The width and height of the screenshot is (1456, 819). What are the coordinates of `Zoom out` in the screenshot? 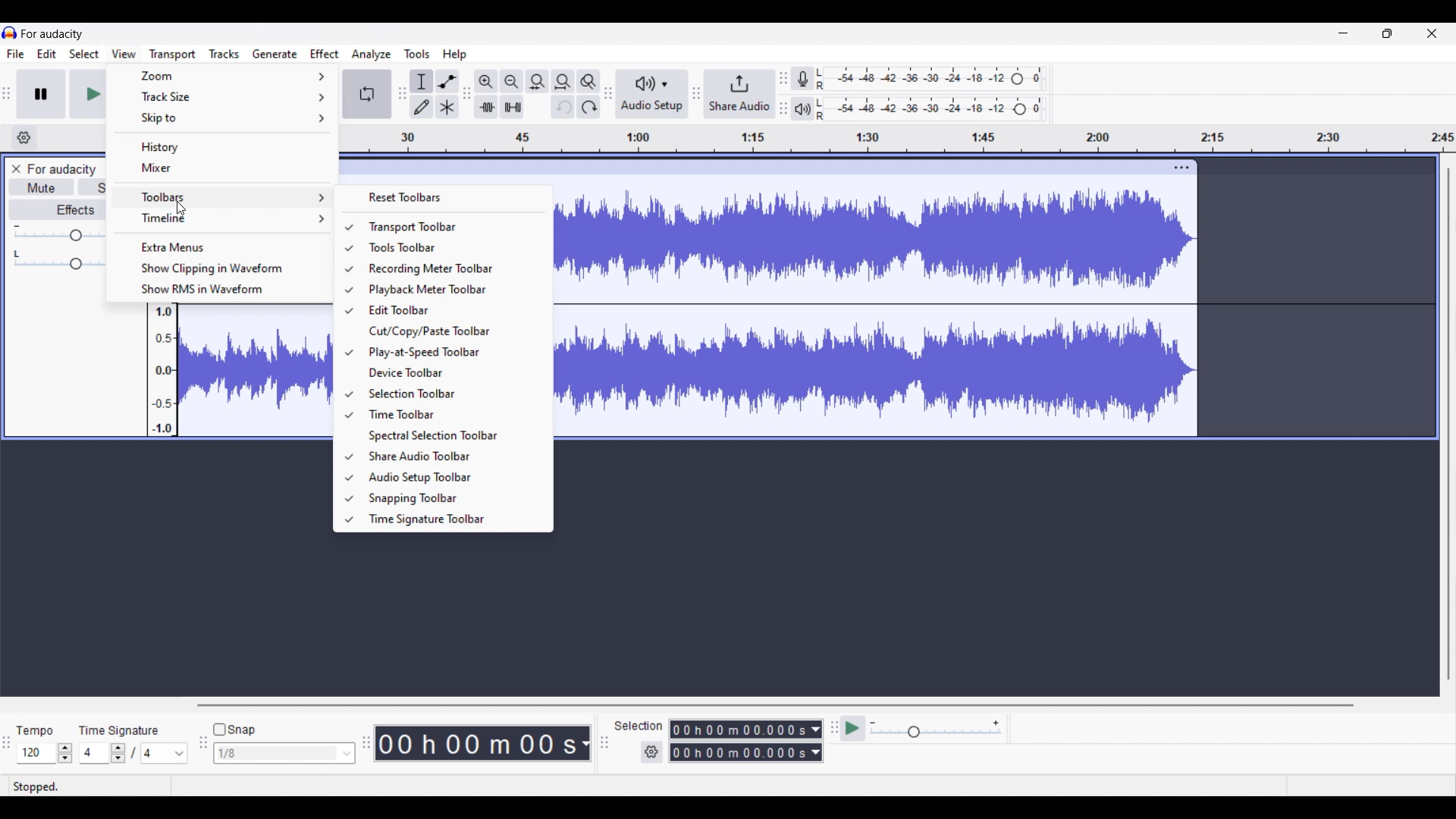 It's located at (511, 82).